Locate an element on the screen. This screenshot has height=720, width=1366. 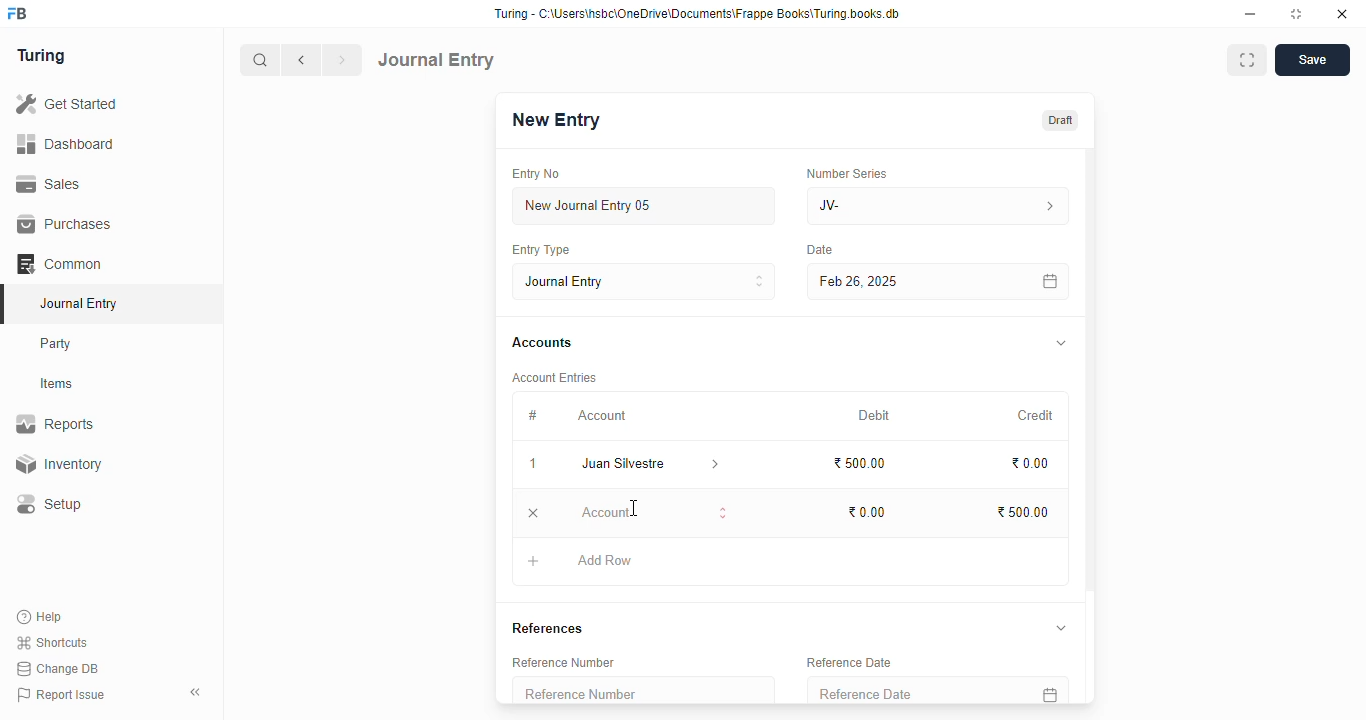
minimize is located at coordinates (1251, 14).